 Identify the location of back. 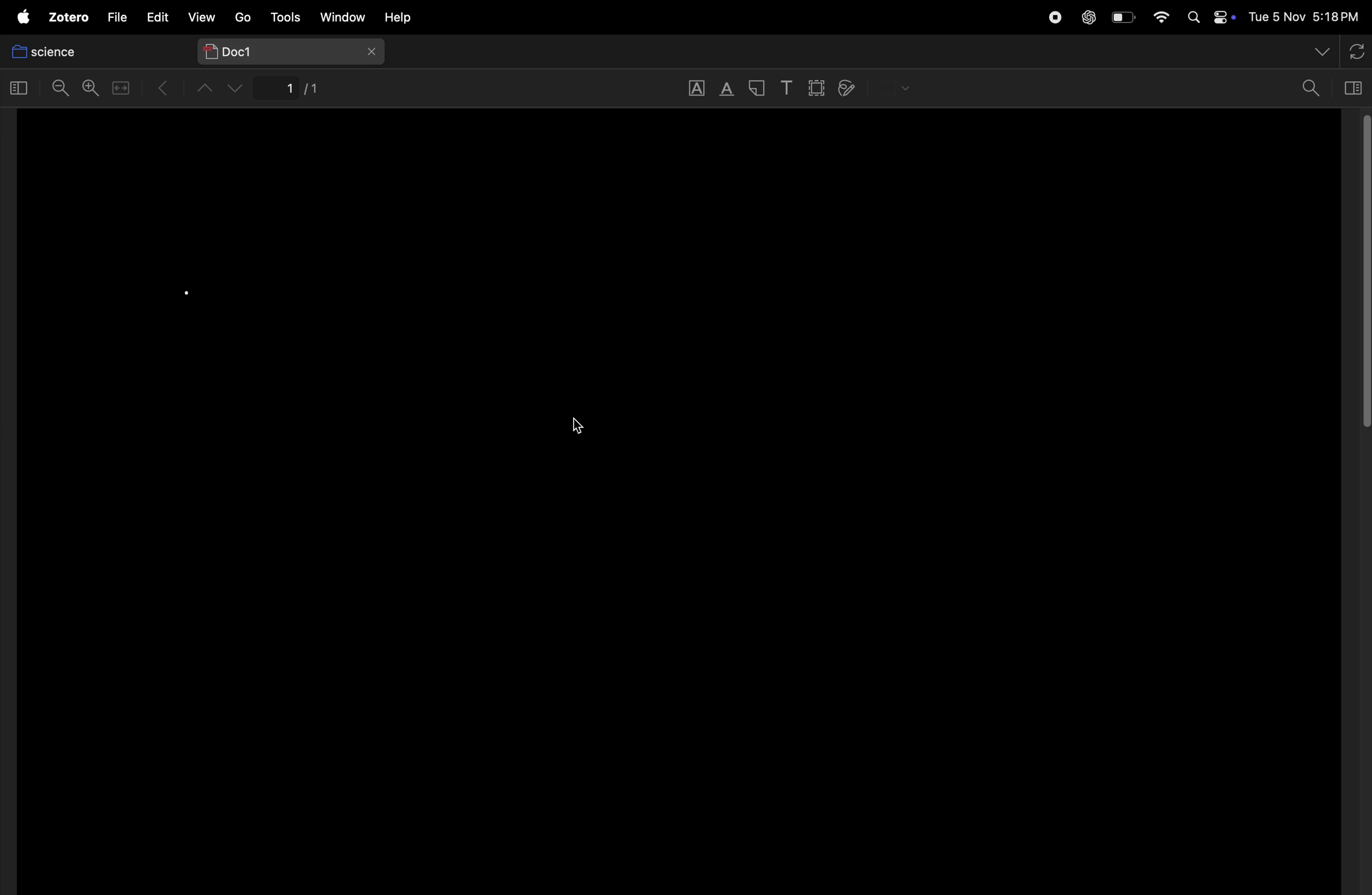
(167, 90).